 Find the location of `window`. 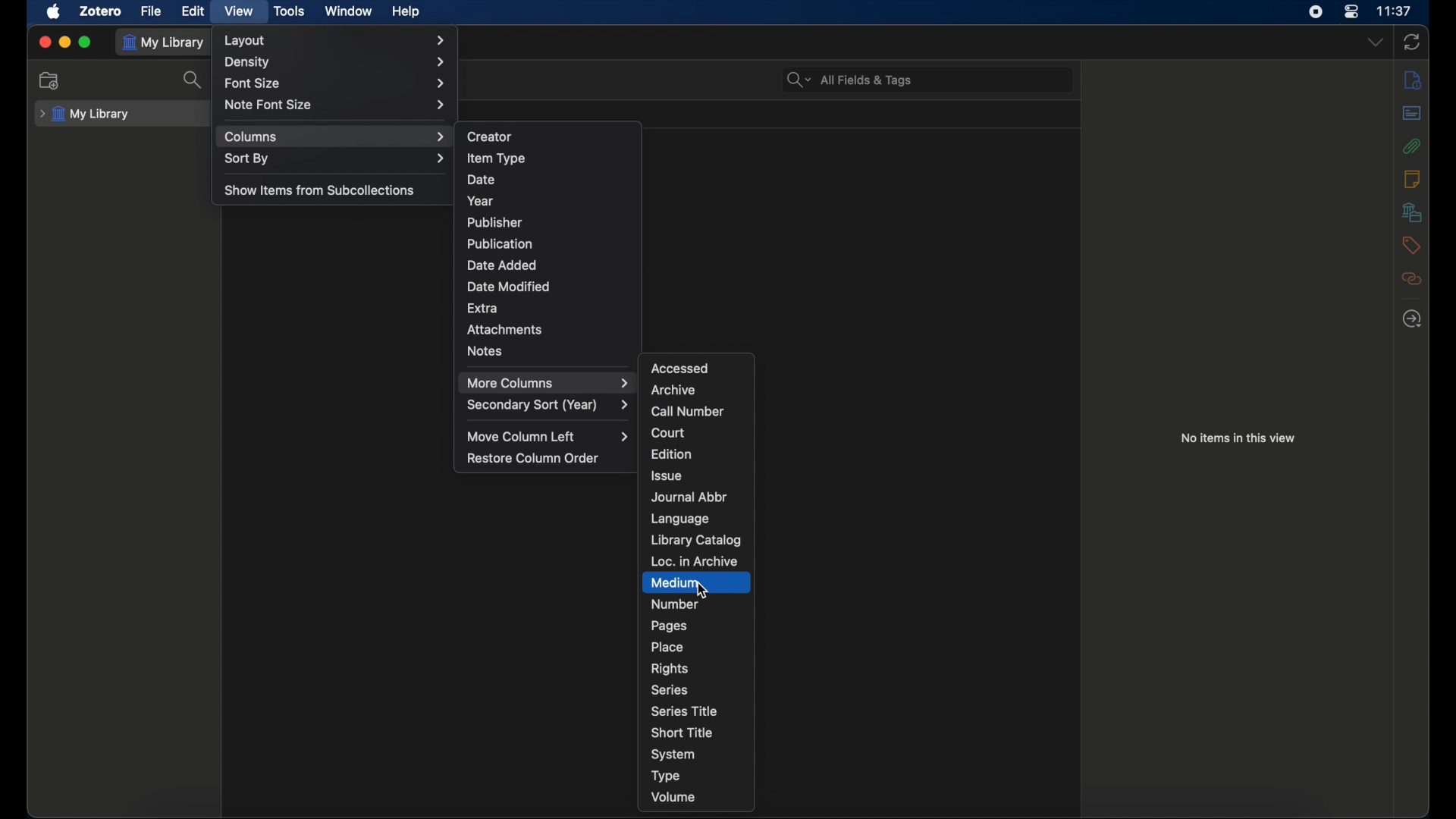

window is located at coordinates (349, 10).